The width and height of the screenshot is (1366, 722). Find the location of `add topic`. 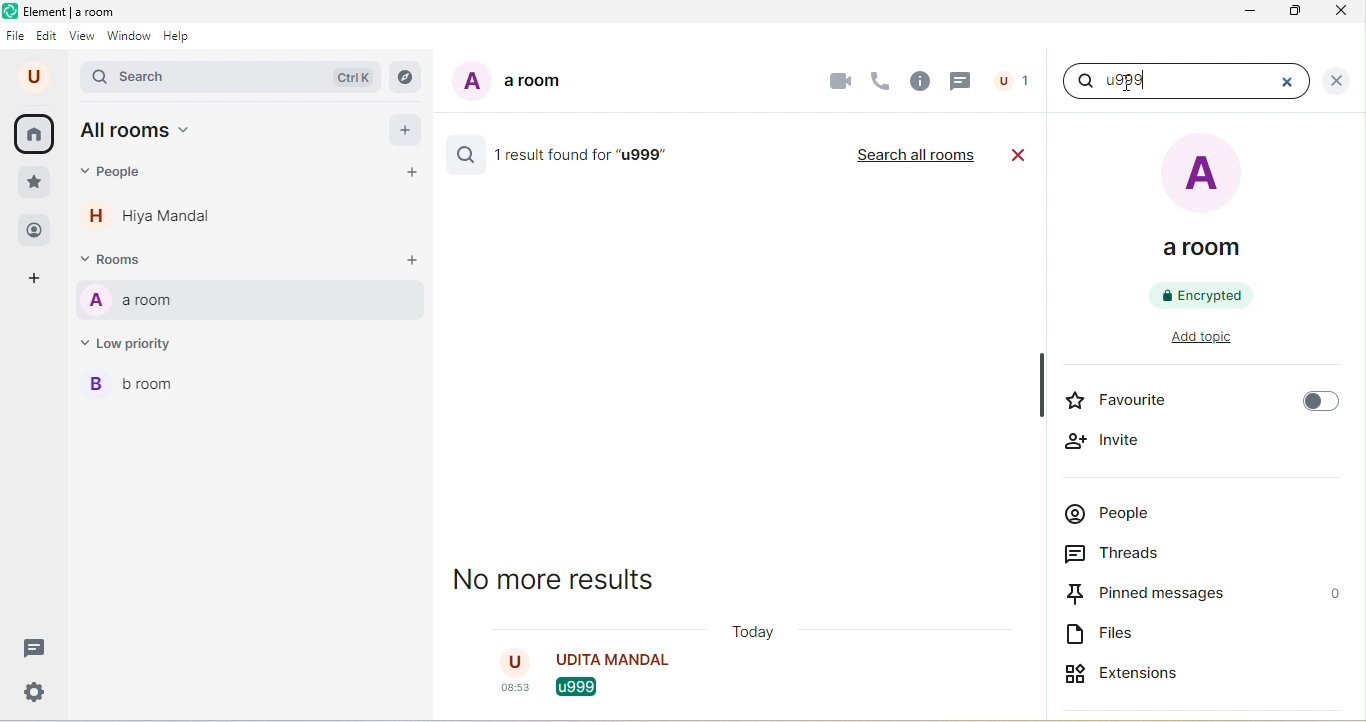

add topic is located at coordinates (1216, 340).